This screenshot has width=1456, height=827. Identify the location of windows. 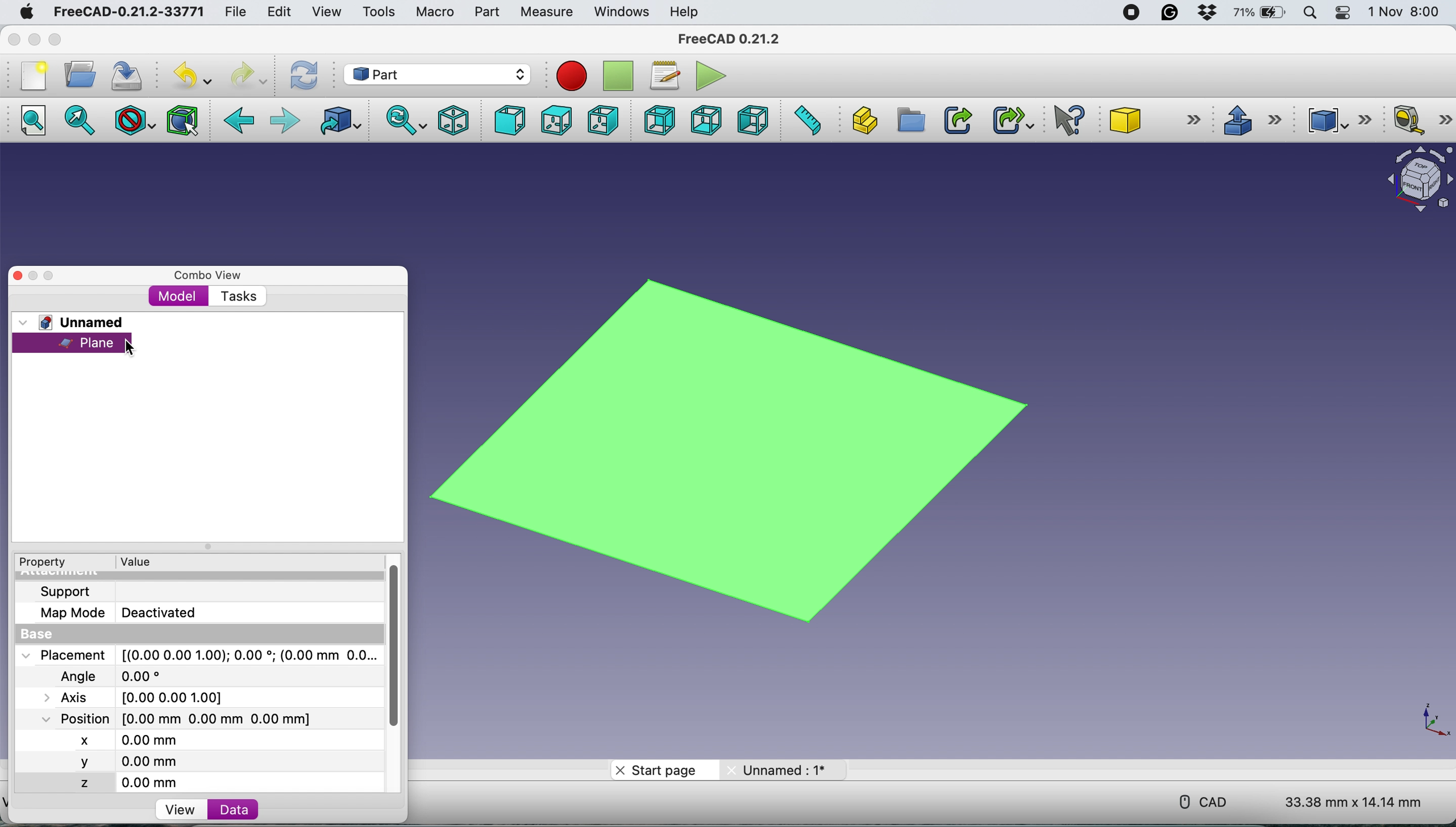
(623, 12).